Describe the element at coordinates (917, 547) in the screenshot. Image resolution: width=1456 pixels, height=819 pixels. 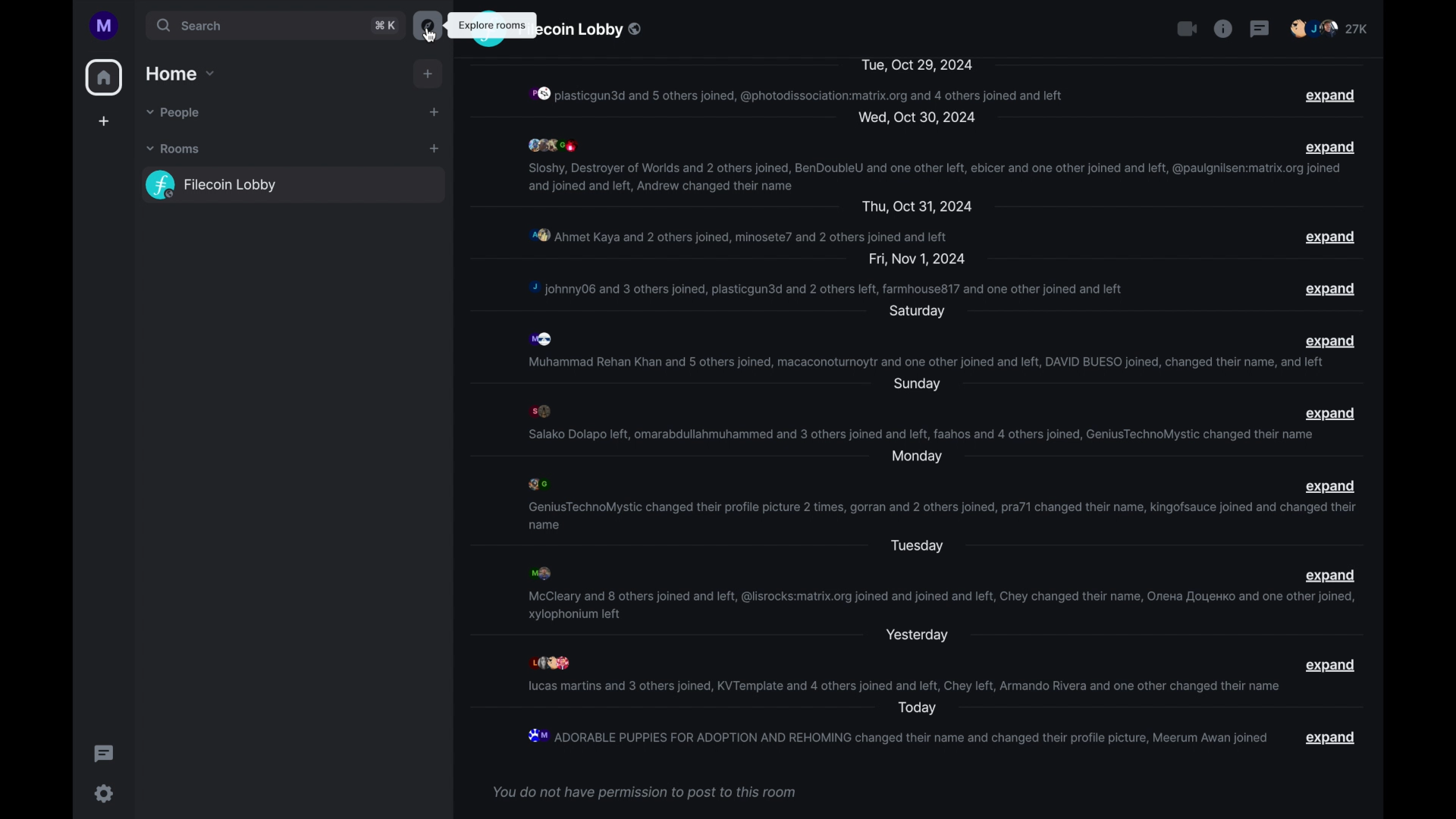
I see `Tuesday` at that location.